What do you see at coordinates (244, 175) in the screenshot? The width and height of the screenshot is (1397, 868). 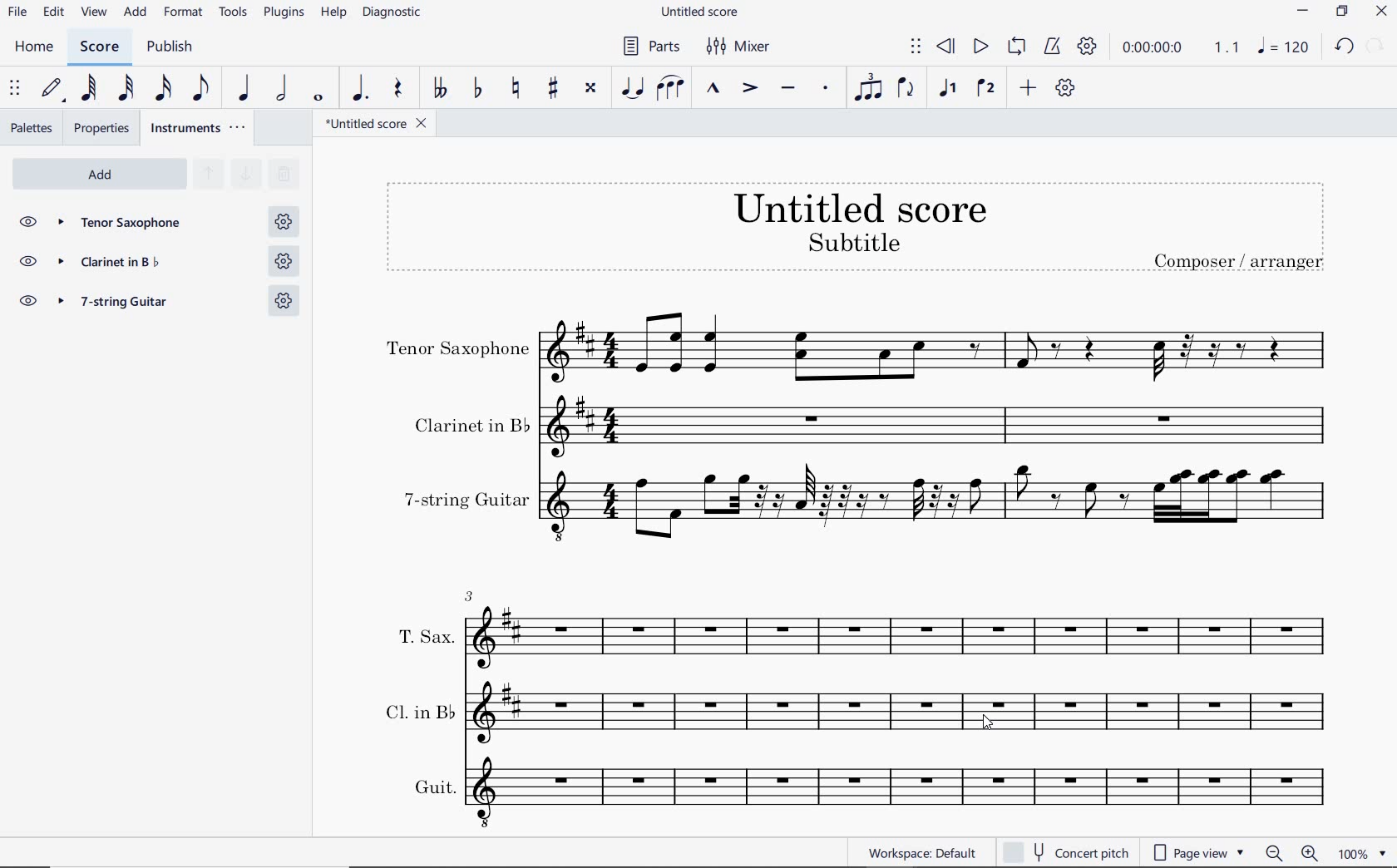 I see `down` at bounding box center [244, 175].